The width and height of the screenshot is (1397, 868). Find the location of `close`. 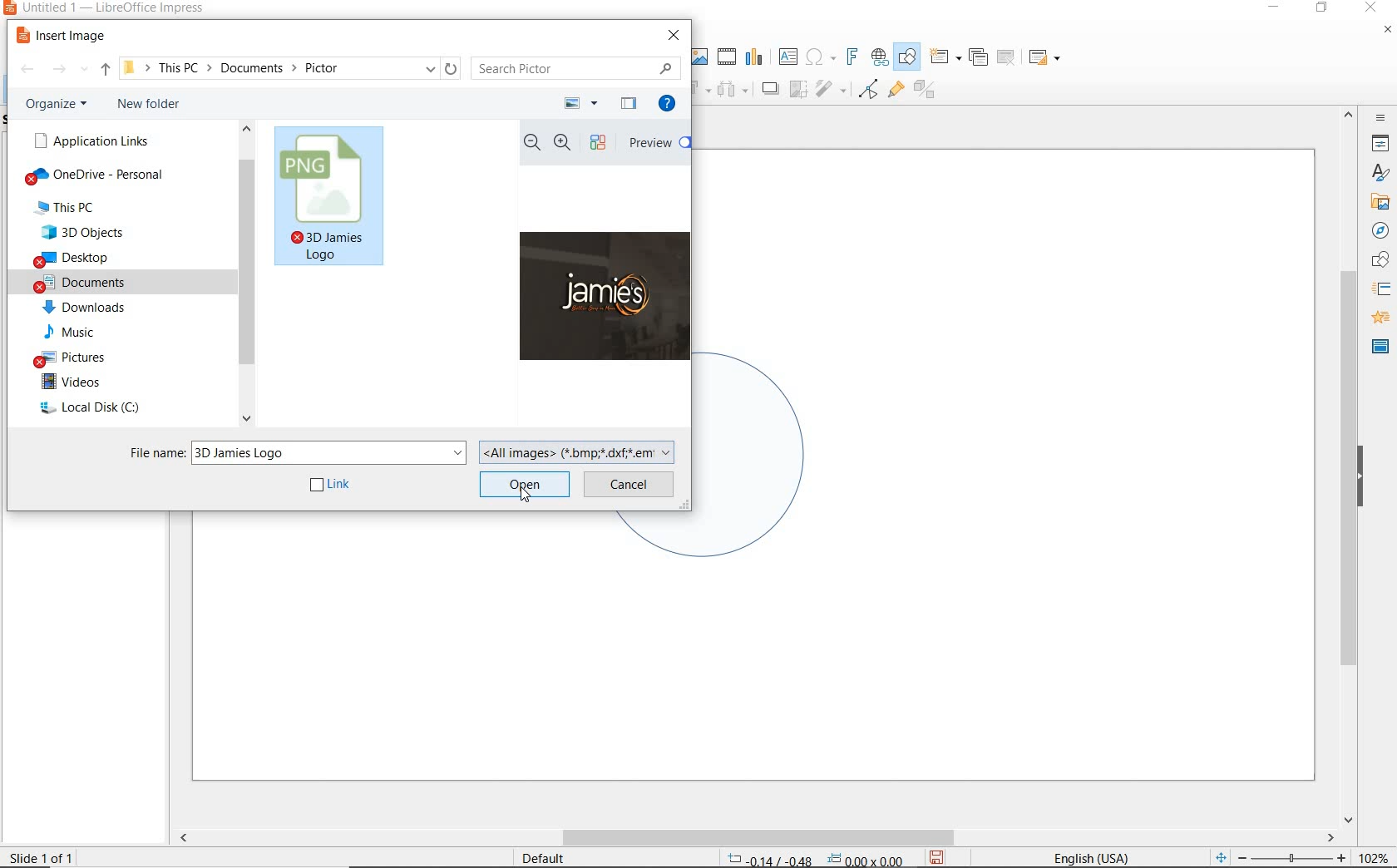

close is located at coordinates (675, 35).